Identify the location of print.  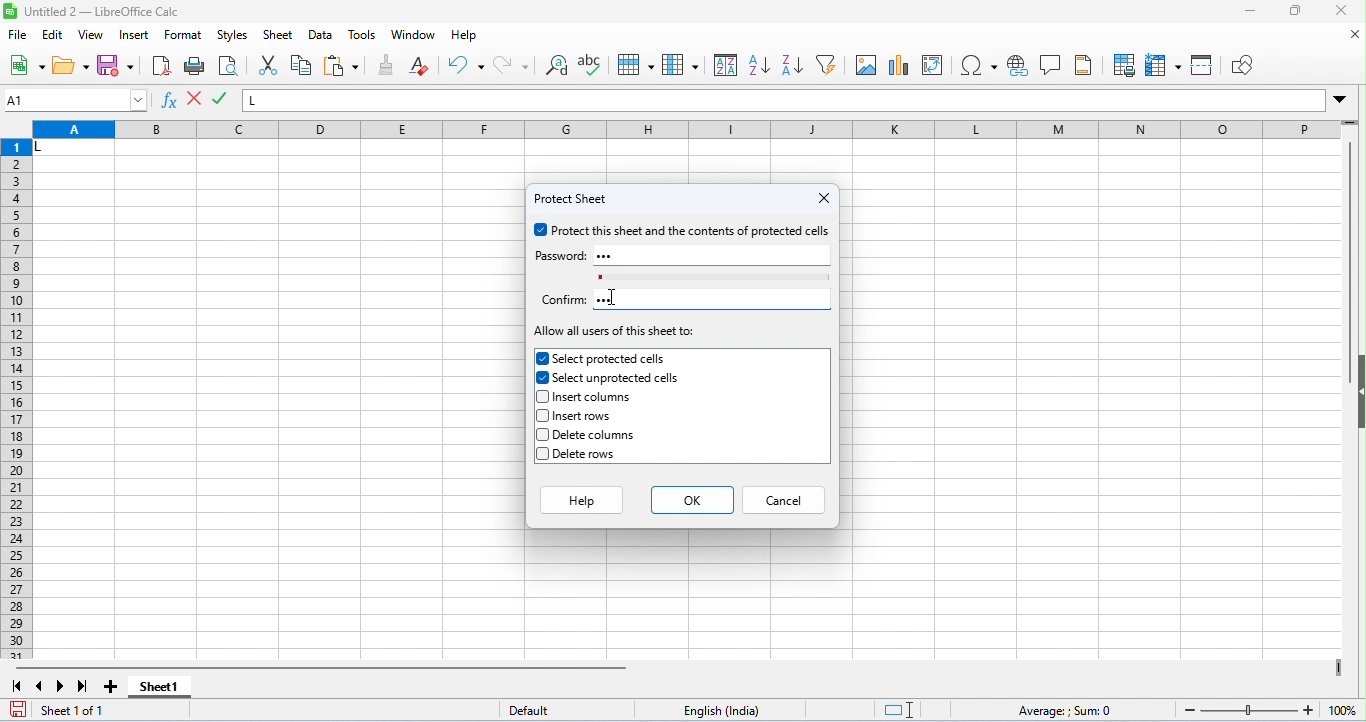
(195, 67).